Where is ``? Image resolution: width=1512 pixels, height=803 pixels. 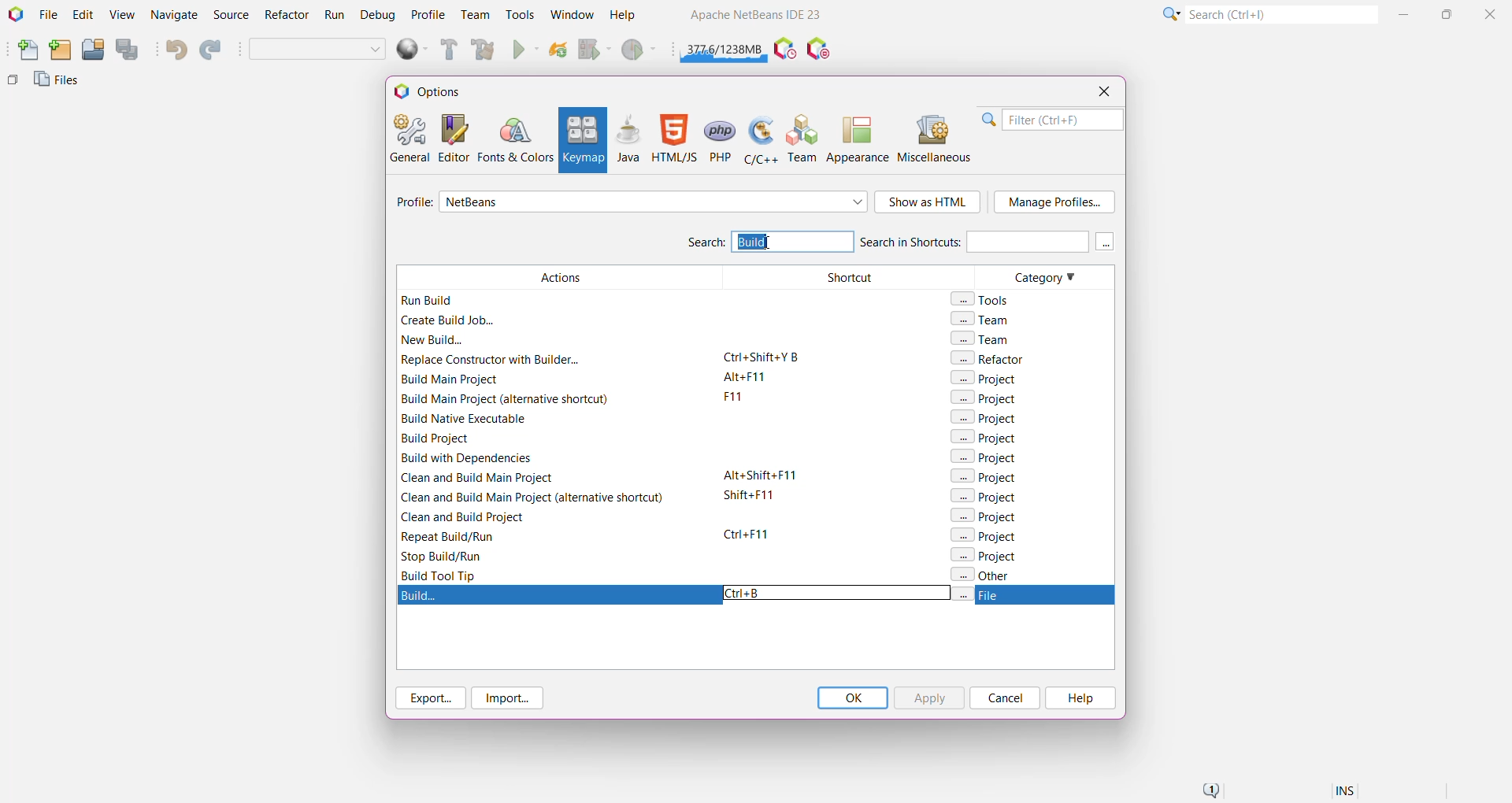
 is located at coordinates (412, 50).